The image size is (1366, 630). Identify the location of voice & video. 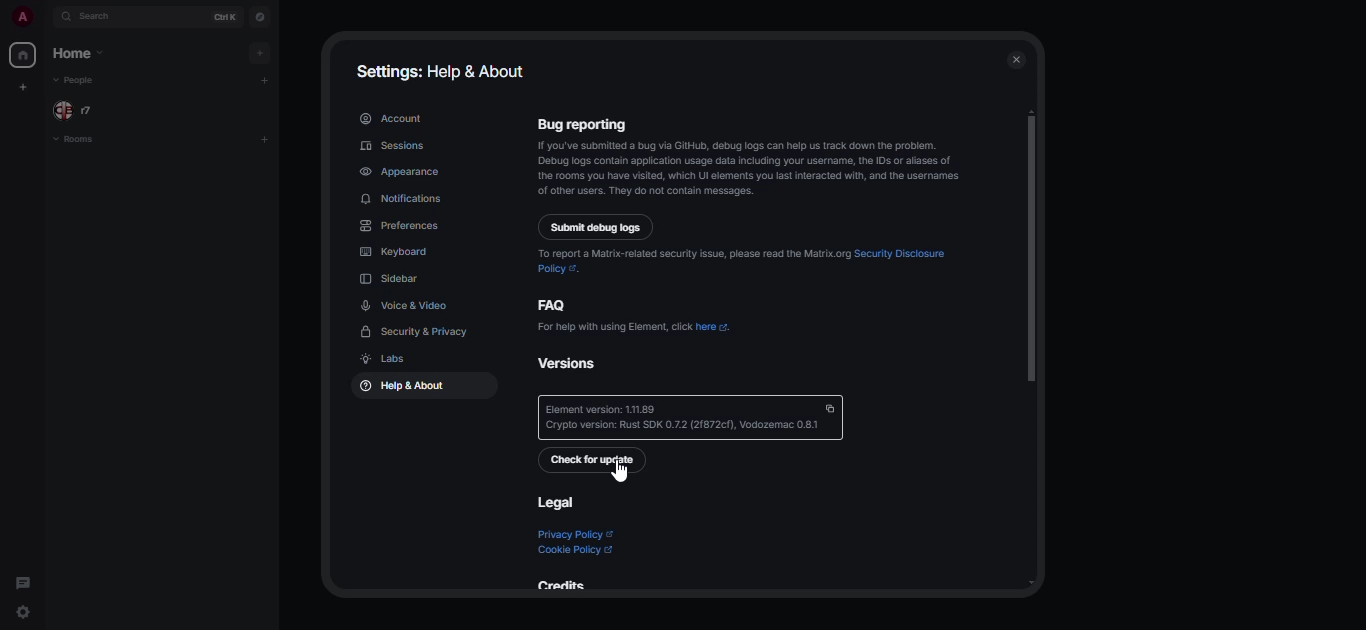
(409, 305).